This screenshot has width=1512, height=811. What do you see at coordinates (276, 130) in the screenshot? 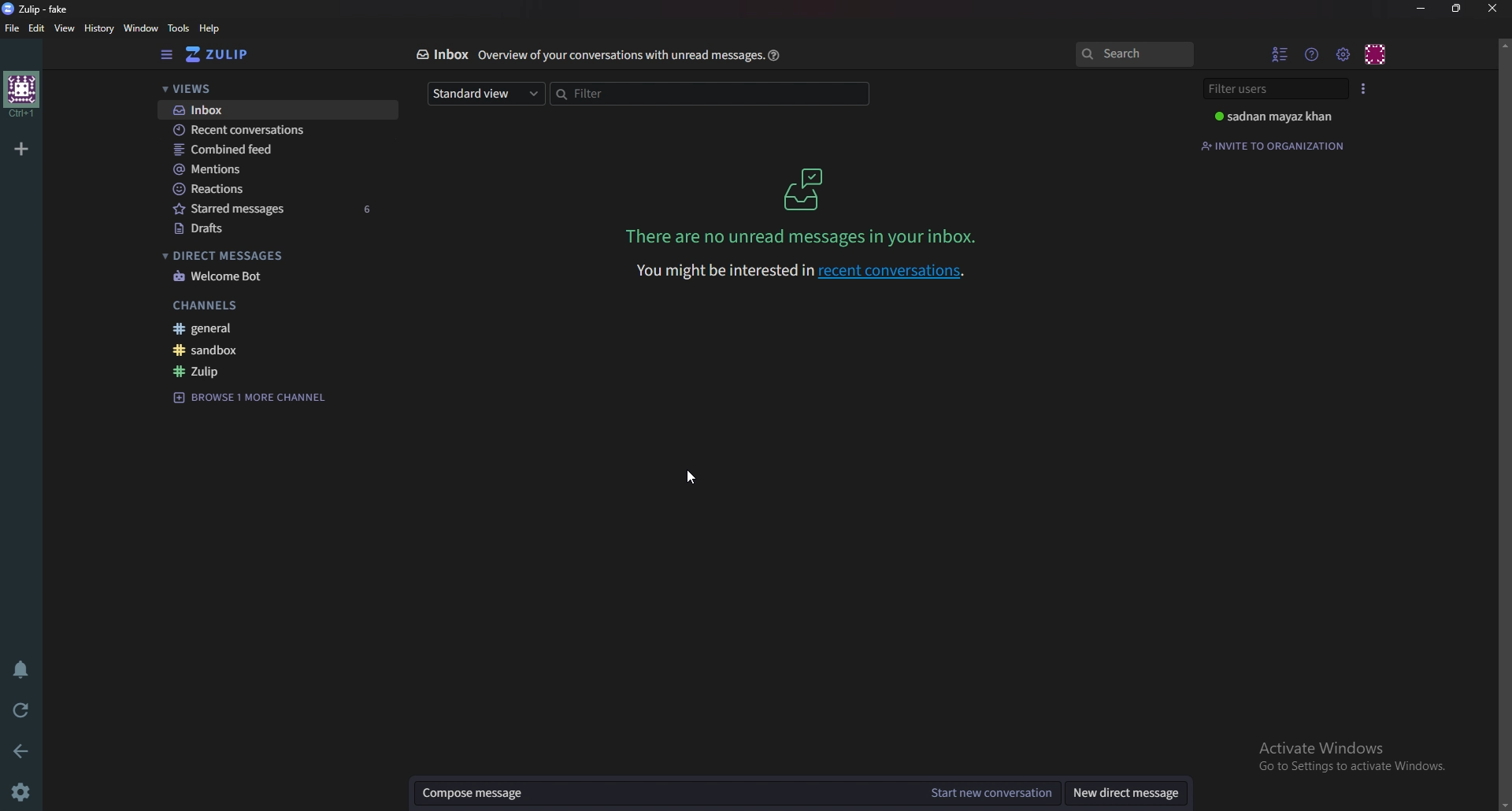
I see `Recent conversations` at bounding box center [276, 130].